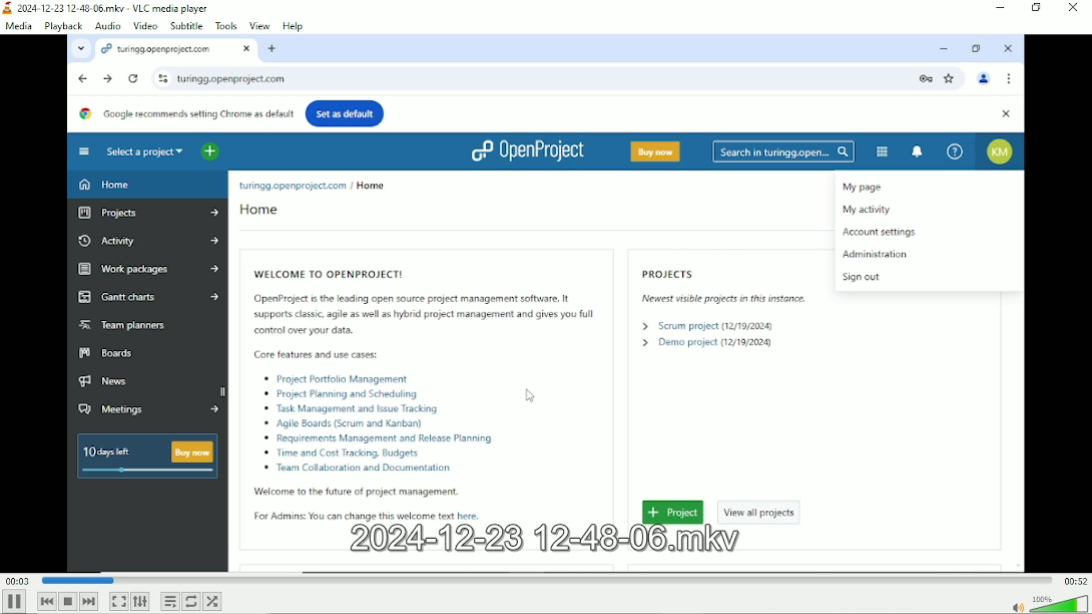  What do you see at coordinates (999, 8) in the screenshot?
I see `Minimize` at bounding box center [999, 8].